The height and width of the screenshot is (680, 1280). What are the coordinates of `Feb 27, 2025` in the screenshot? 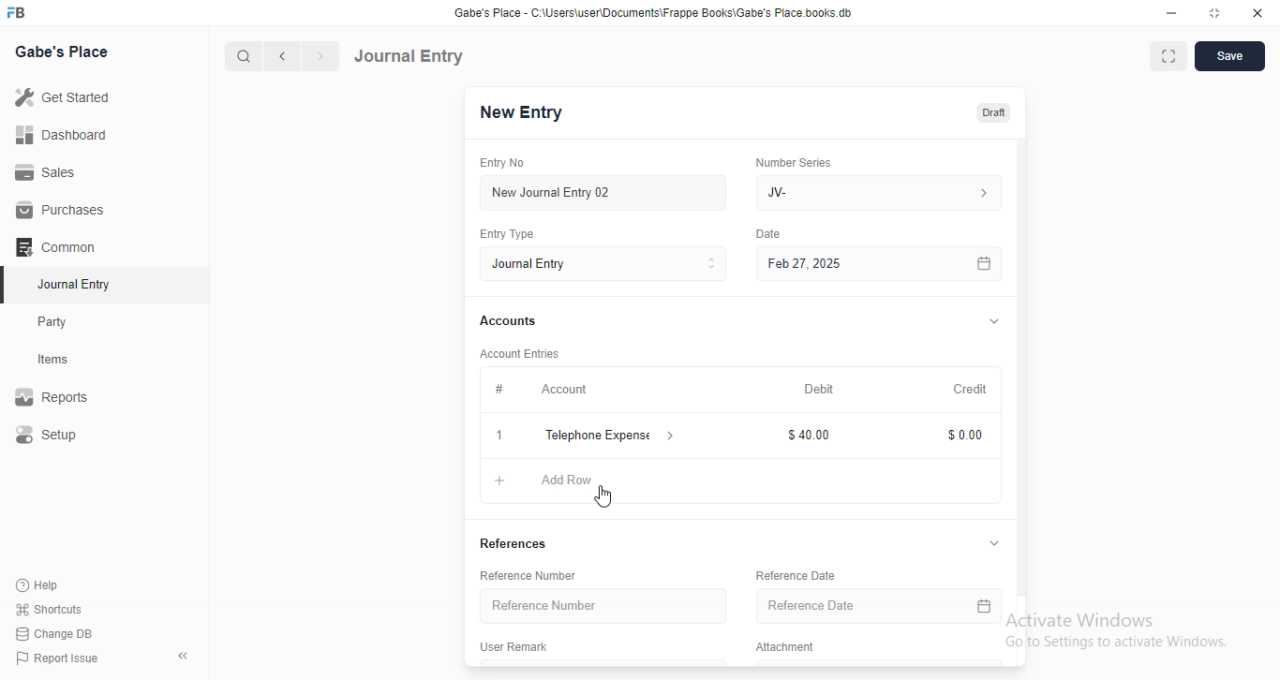 It's located at (883, 264).